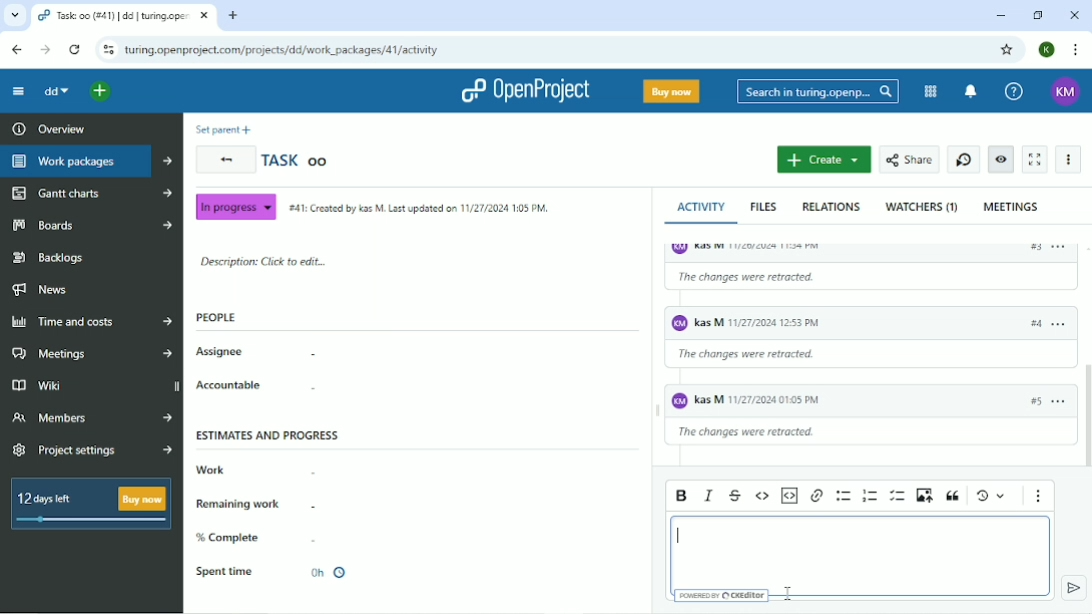  I want to click on Meetings, so click(94, 353).